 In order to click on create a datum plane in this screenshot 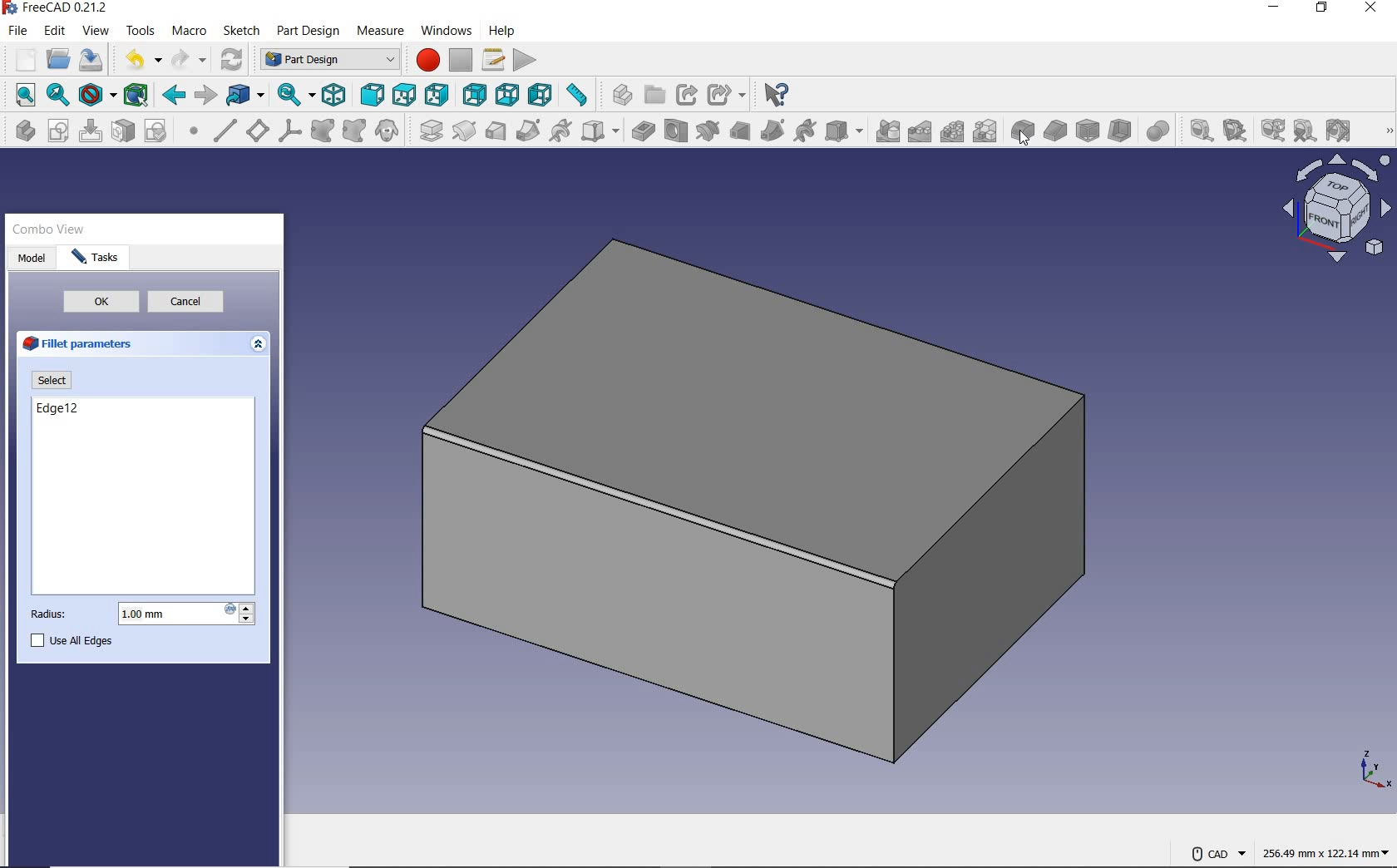, I will do `click(256, 131)`.